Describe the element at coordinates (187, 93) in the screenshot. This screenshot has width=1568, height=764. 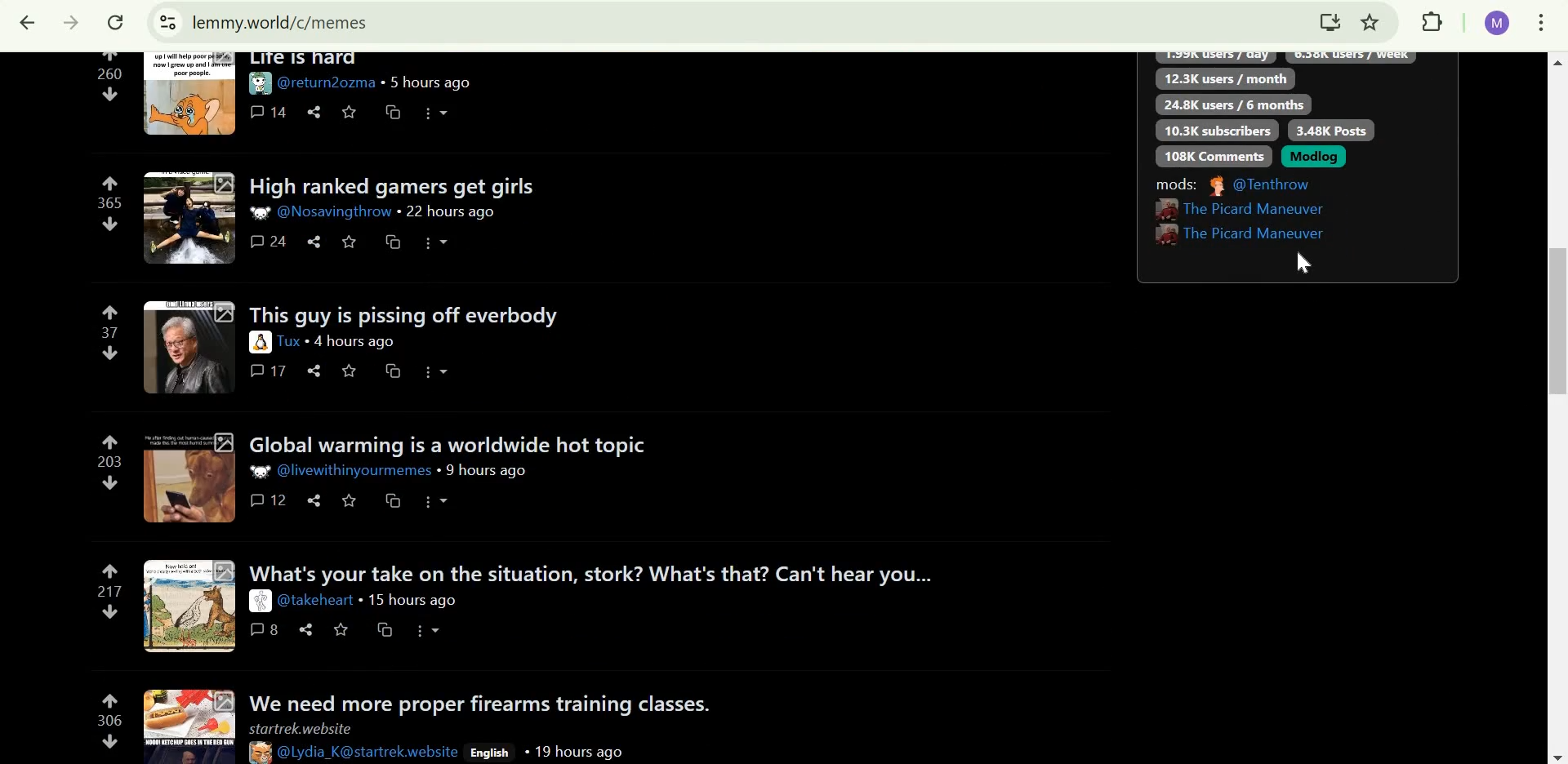
I see `expand here` at that location.